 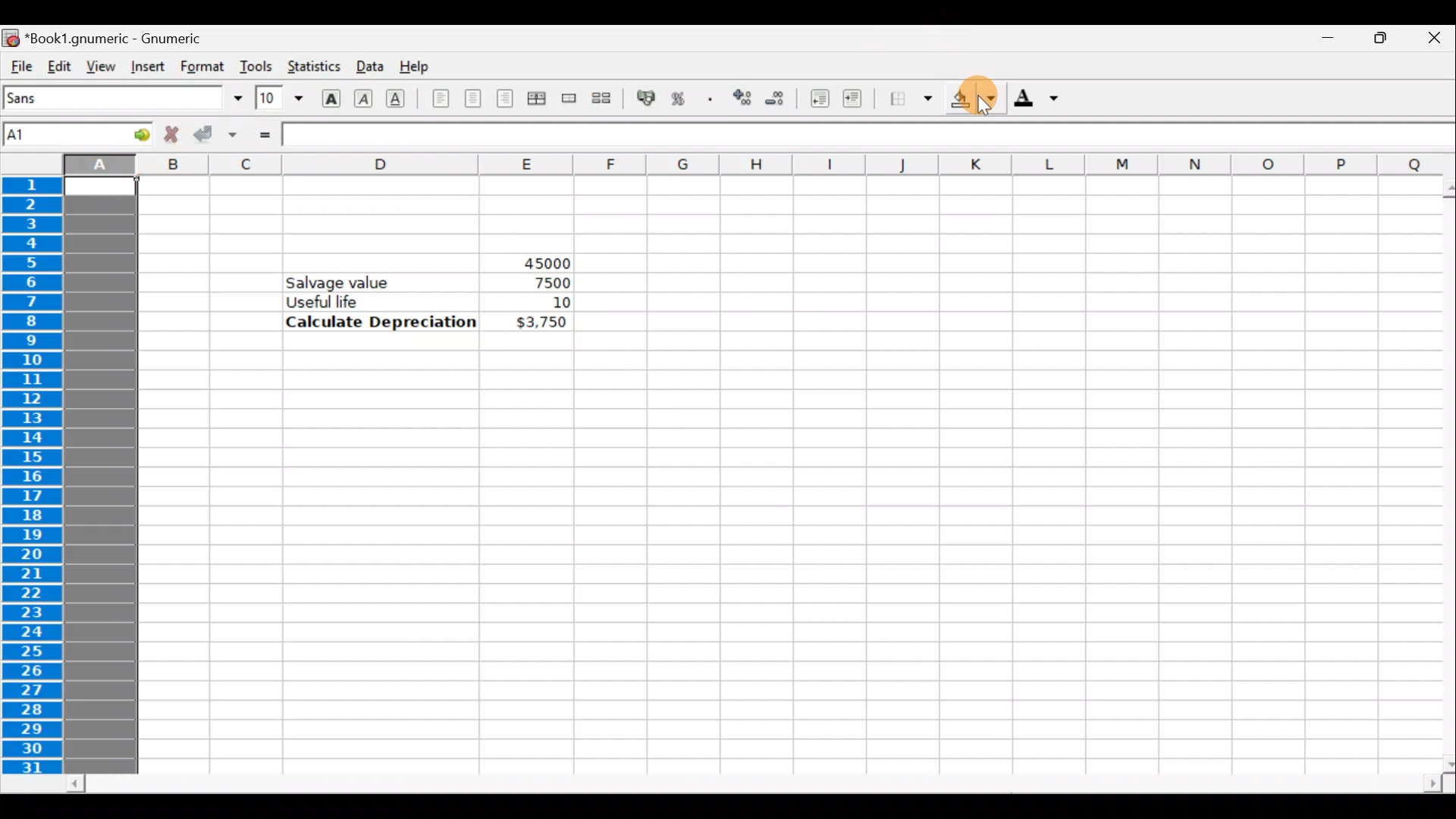 I want to click on Insert, so click(x=147, y=67).